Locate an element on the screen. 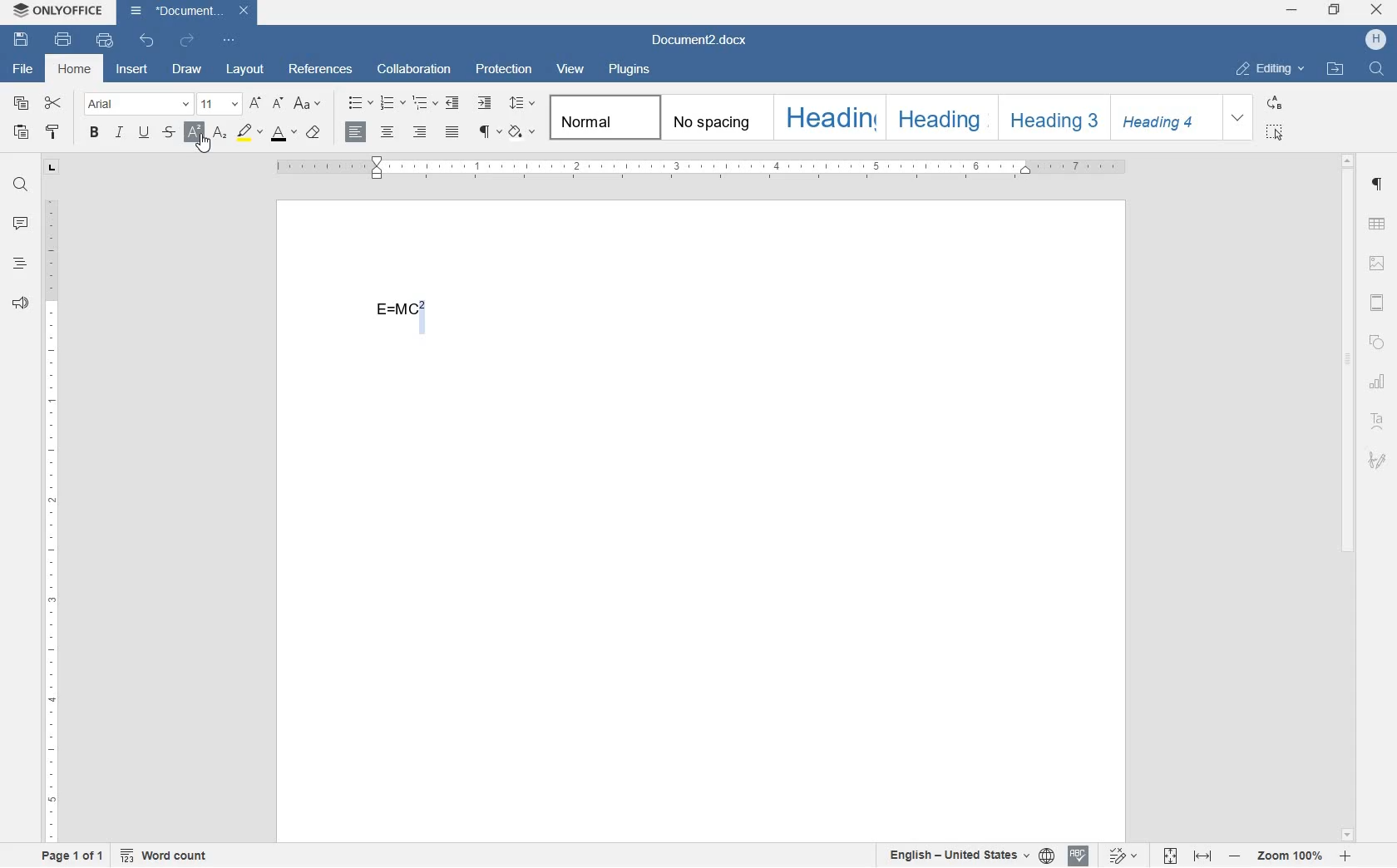 The width and height of the screenshot is (1397, 868). case style is located at coordinates (315, 135).